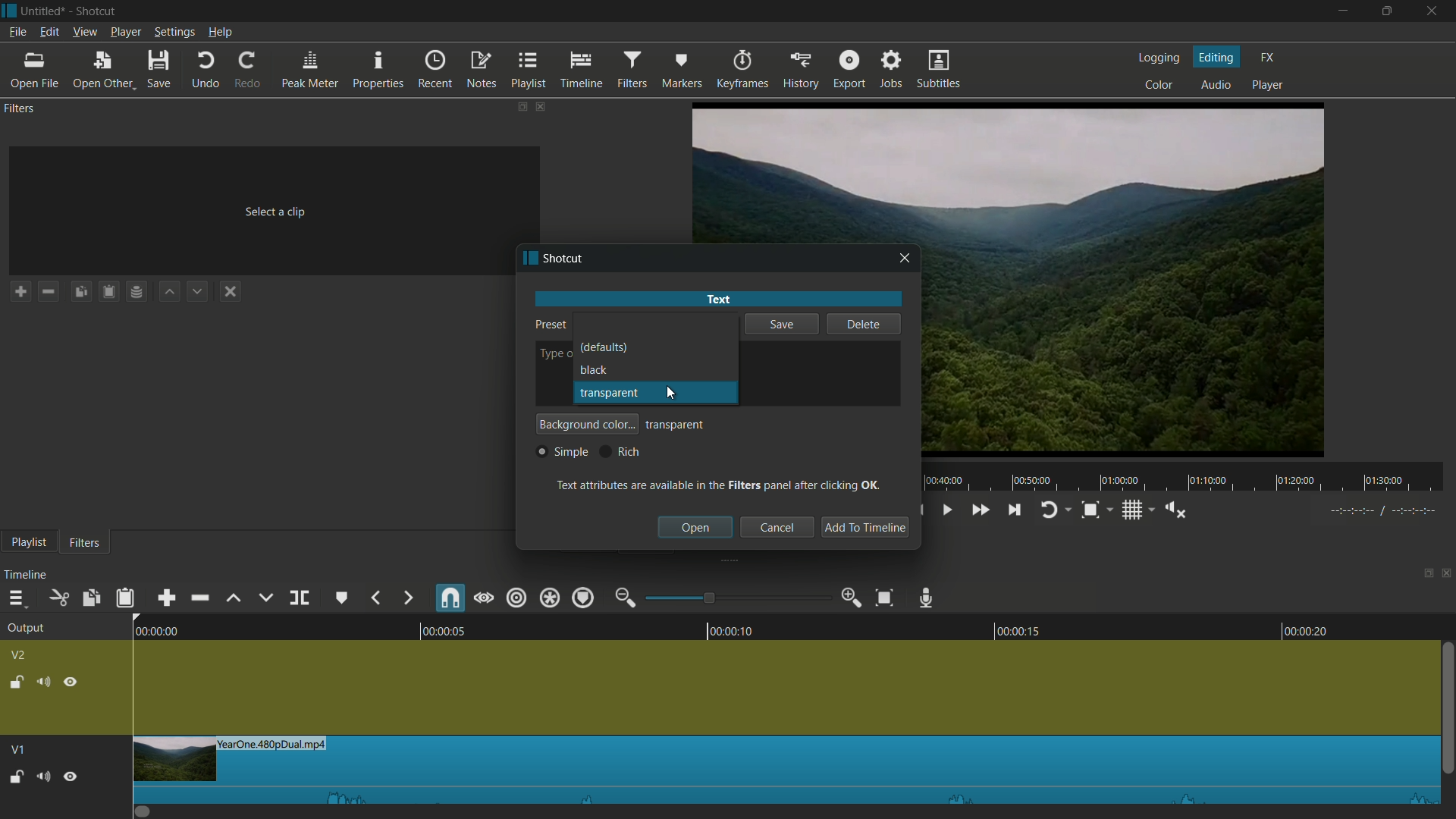 The image size is (1456, 819). Describe the element at coordinates (739, 598) in the screenshot. I see `adjustment bar` at that location.